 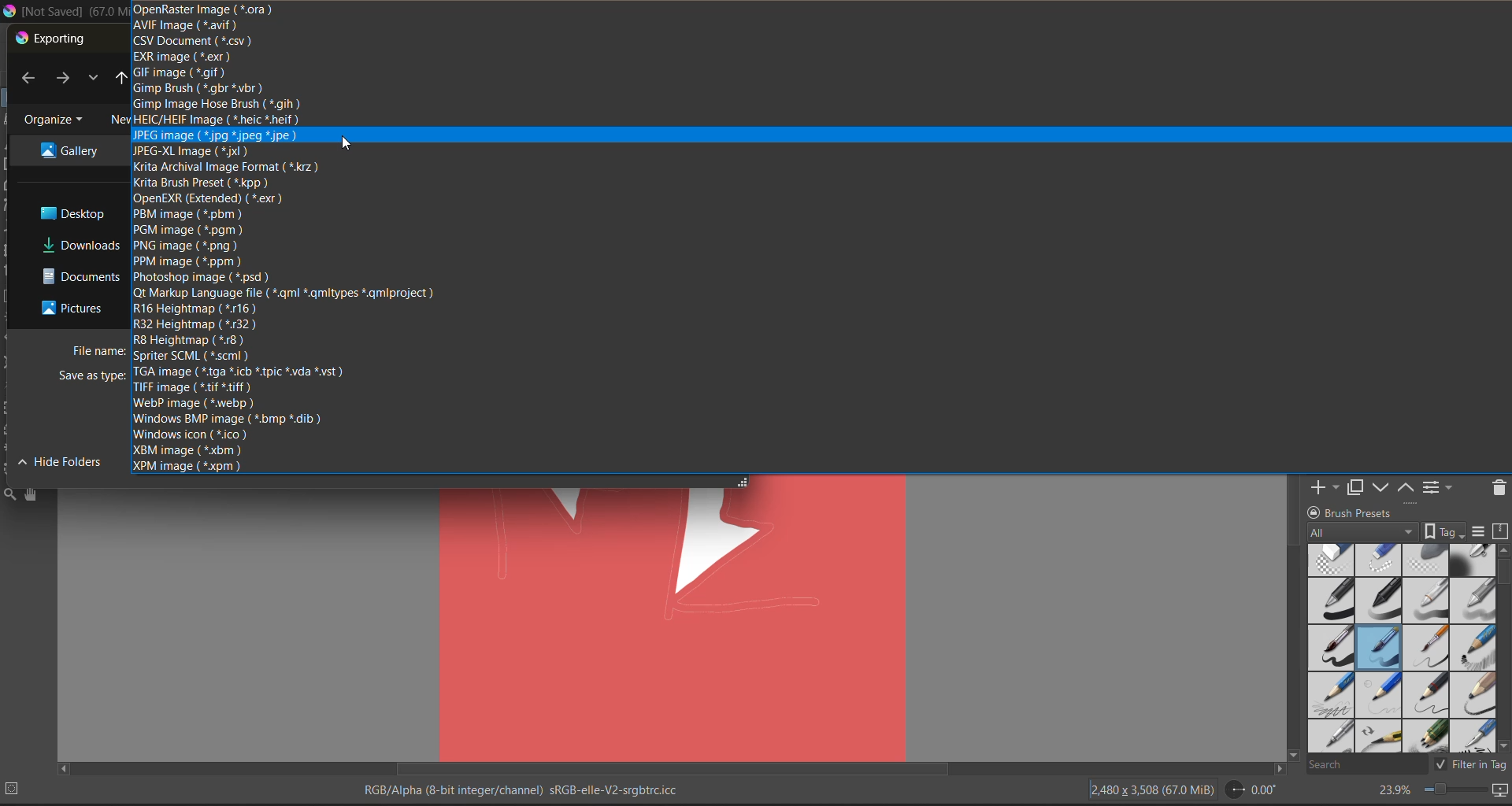 What do you see at coordinates (1403, 649) in the screenshot?
I see `brush presets` at bounding box center [1403, 649].